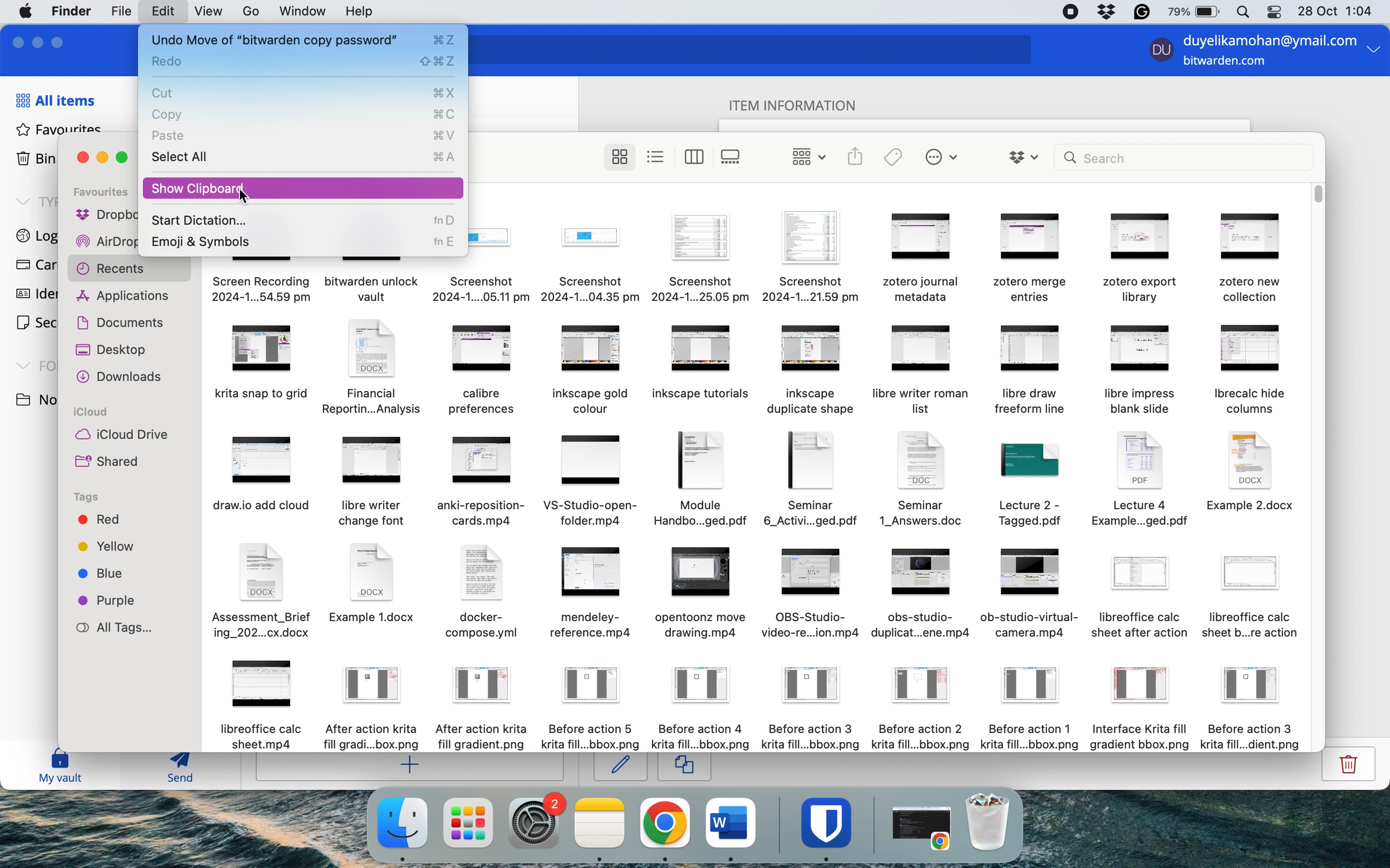 The height and width of the screenshot is (868, 1390). I want to click on maximise, so click(61, 40).